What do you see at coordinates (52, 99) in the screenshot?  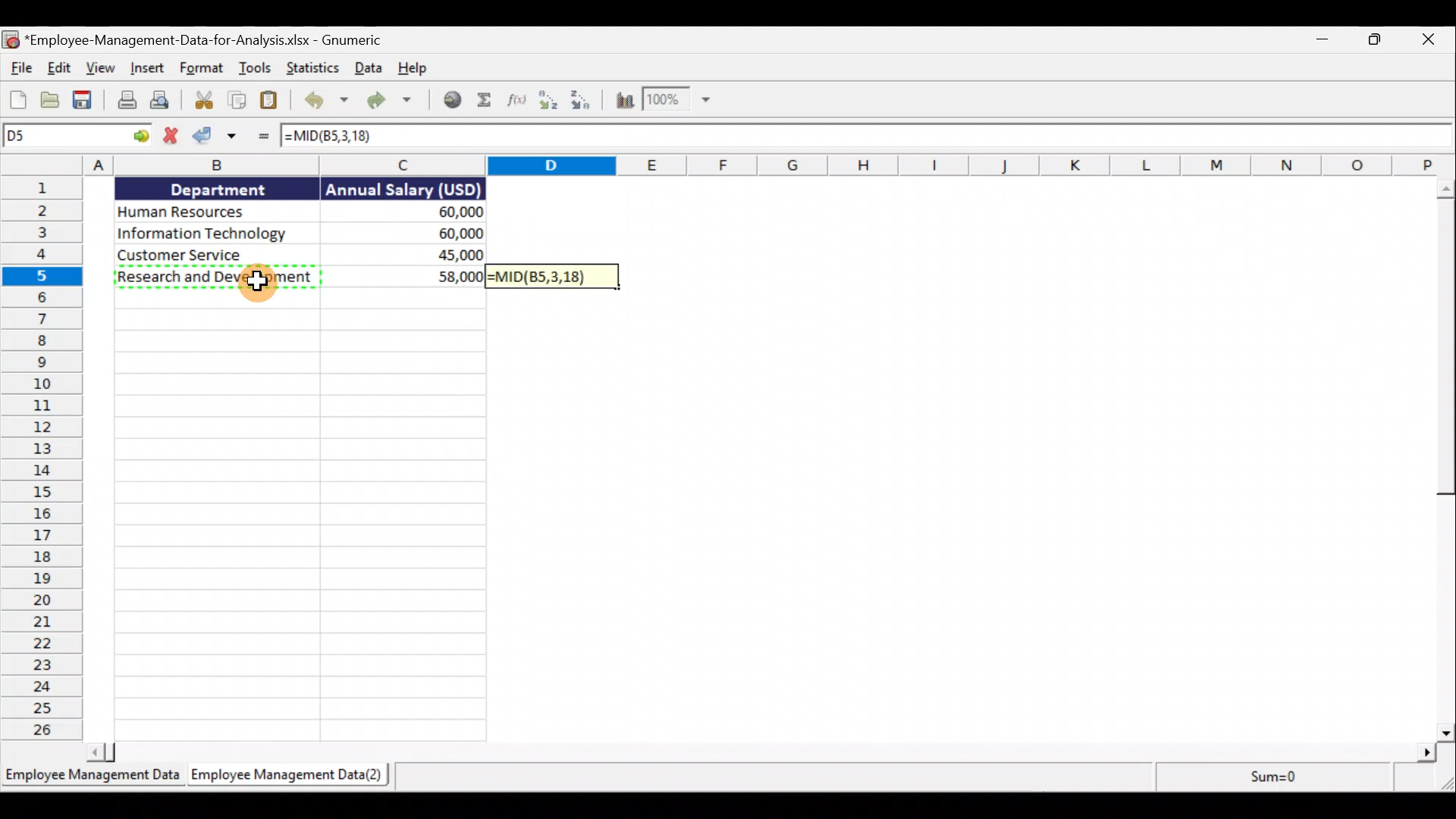 I see `Open a file` at bounding box center [52, 99].